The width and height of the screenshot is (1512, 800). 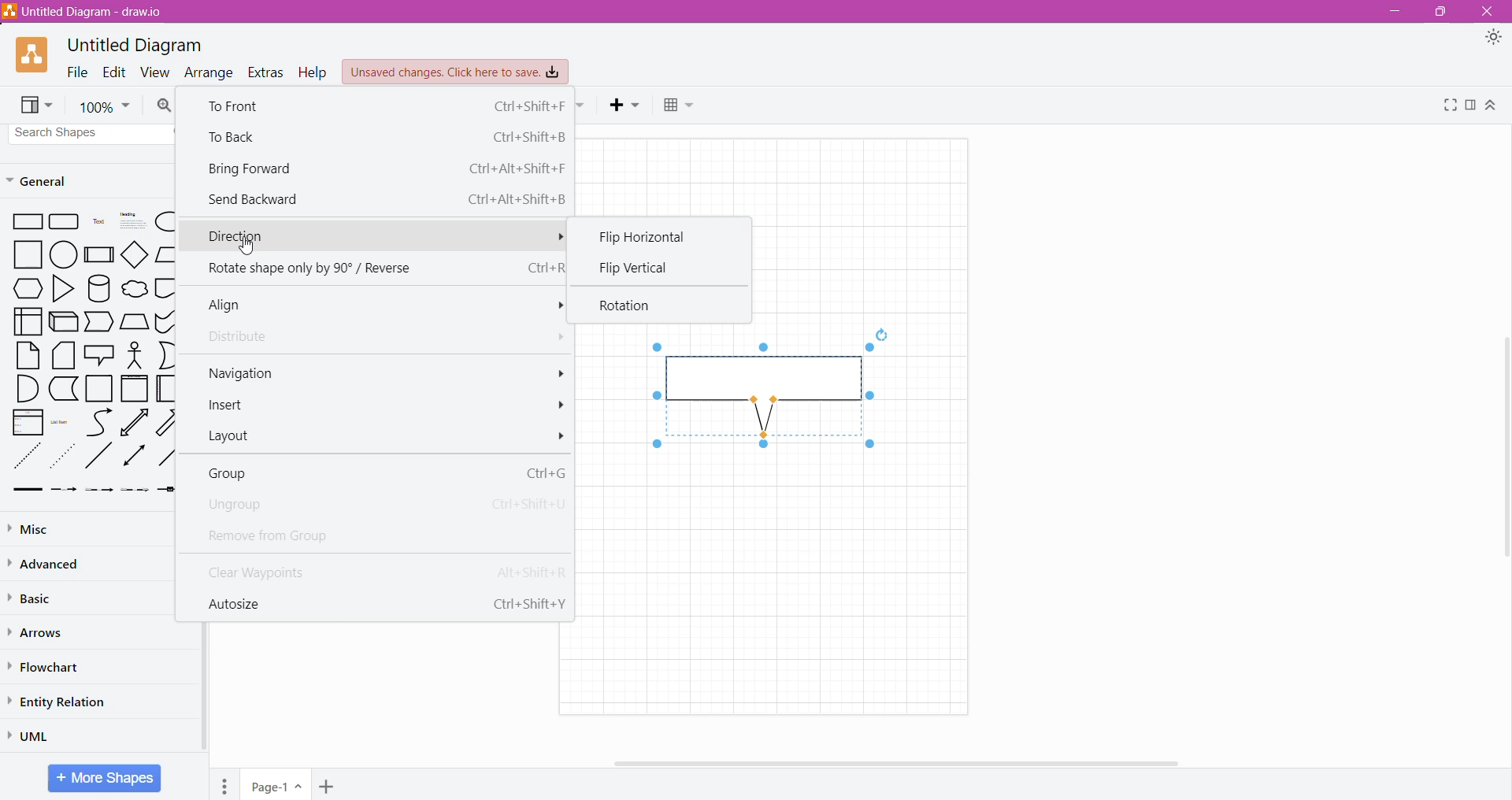 What do you see at coordinates (100, 322) in the screenshot?
I see `Trapezoid ` at bounding box center [100, 322].